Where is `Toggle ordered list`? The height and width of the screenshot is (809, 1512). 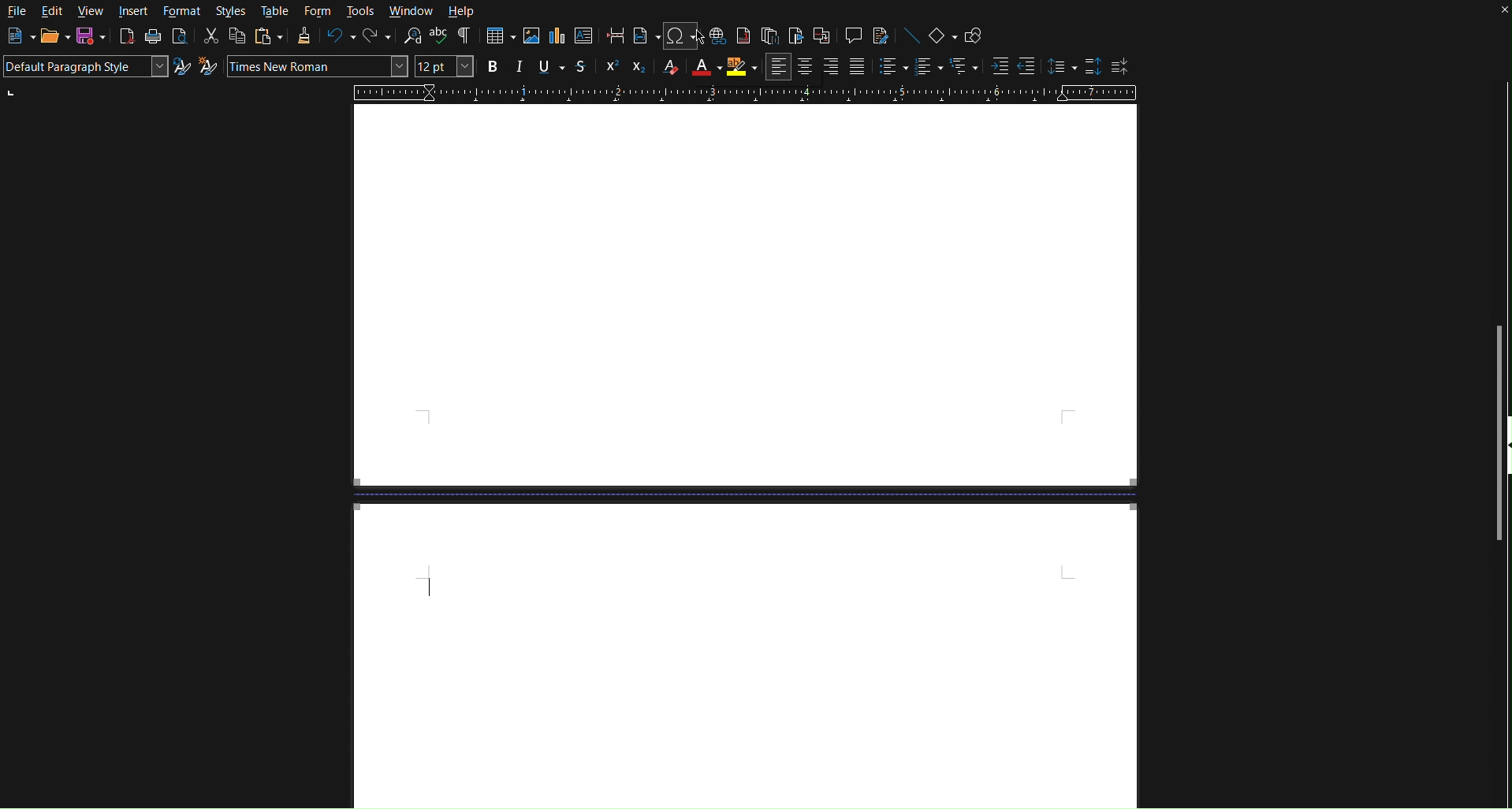
Toggle ordered list is located at coordinates (927, 67).